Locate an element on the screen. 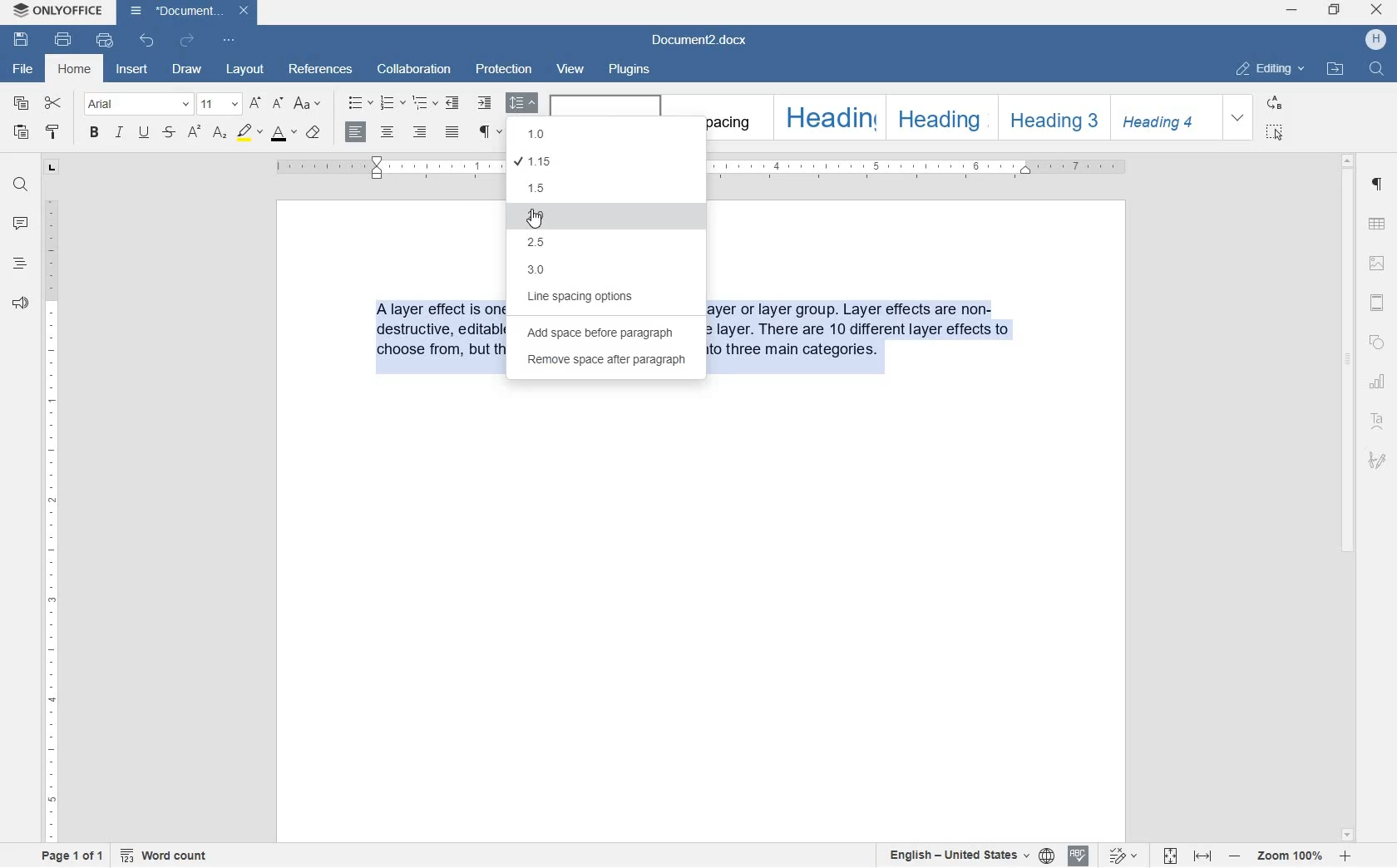 The width and height of the screenshot is (1397, 868). align center is located at coordinates (386, 132).